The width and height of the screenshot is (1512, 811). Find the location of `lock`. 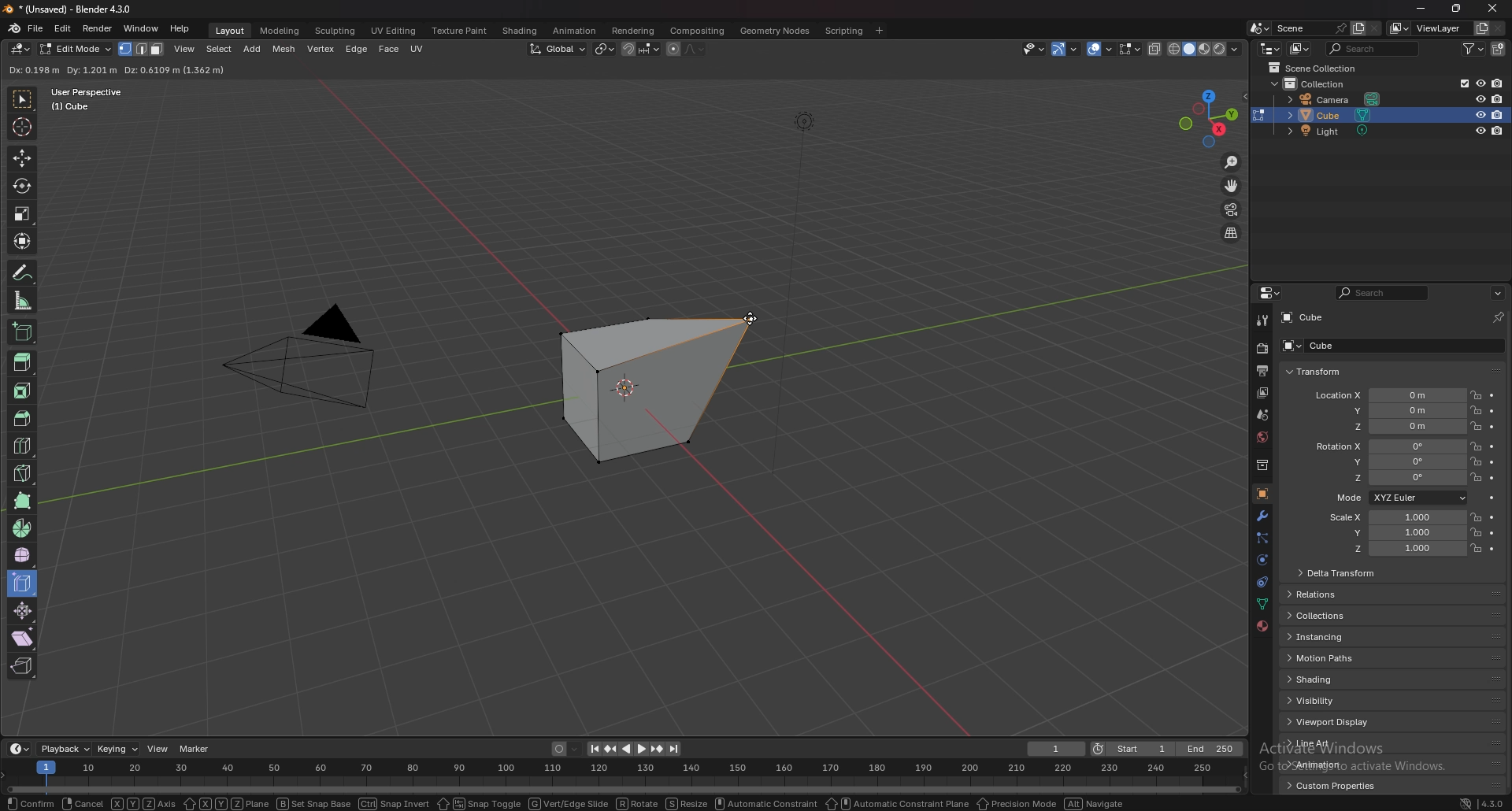

lock is located at coordinates (1477, 411).